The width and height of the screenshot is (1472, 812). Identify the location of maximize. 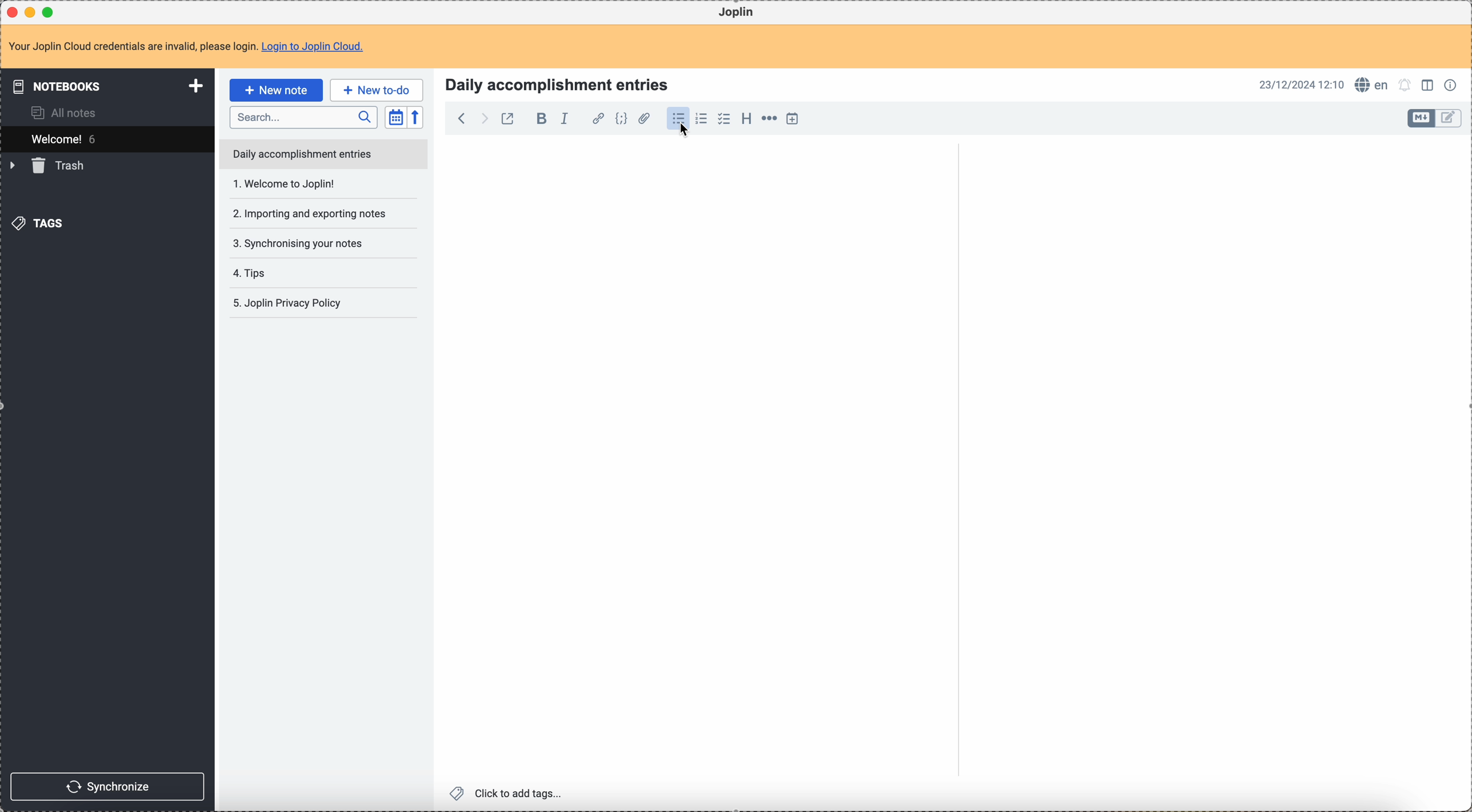
(49, 11).